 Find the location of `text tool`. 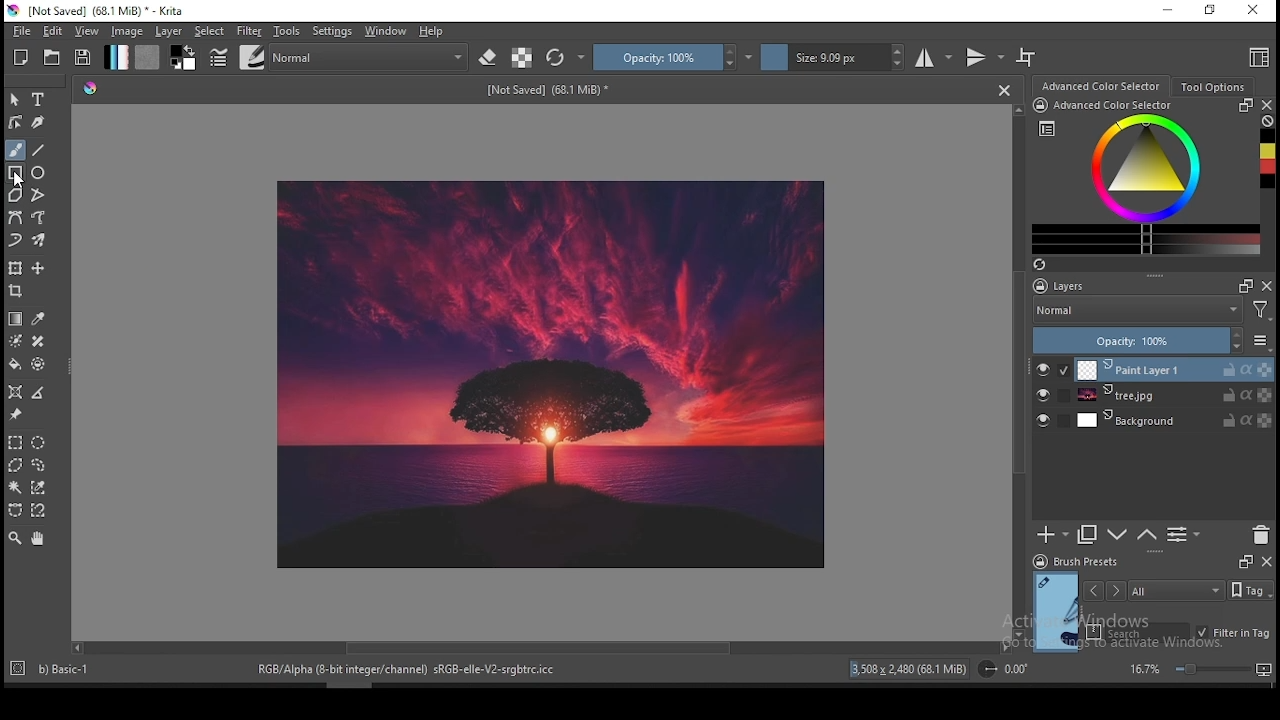

text tool is located at coordinates (39, 99).